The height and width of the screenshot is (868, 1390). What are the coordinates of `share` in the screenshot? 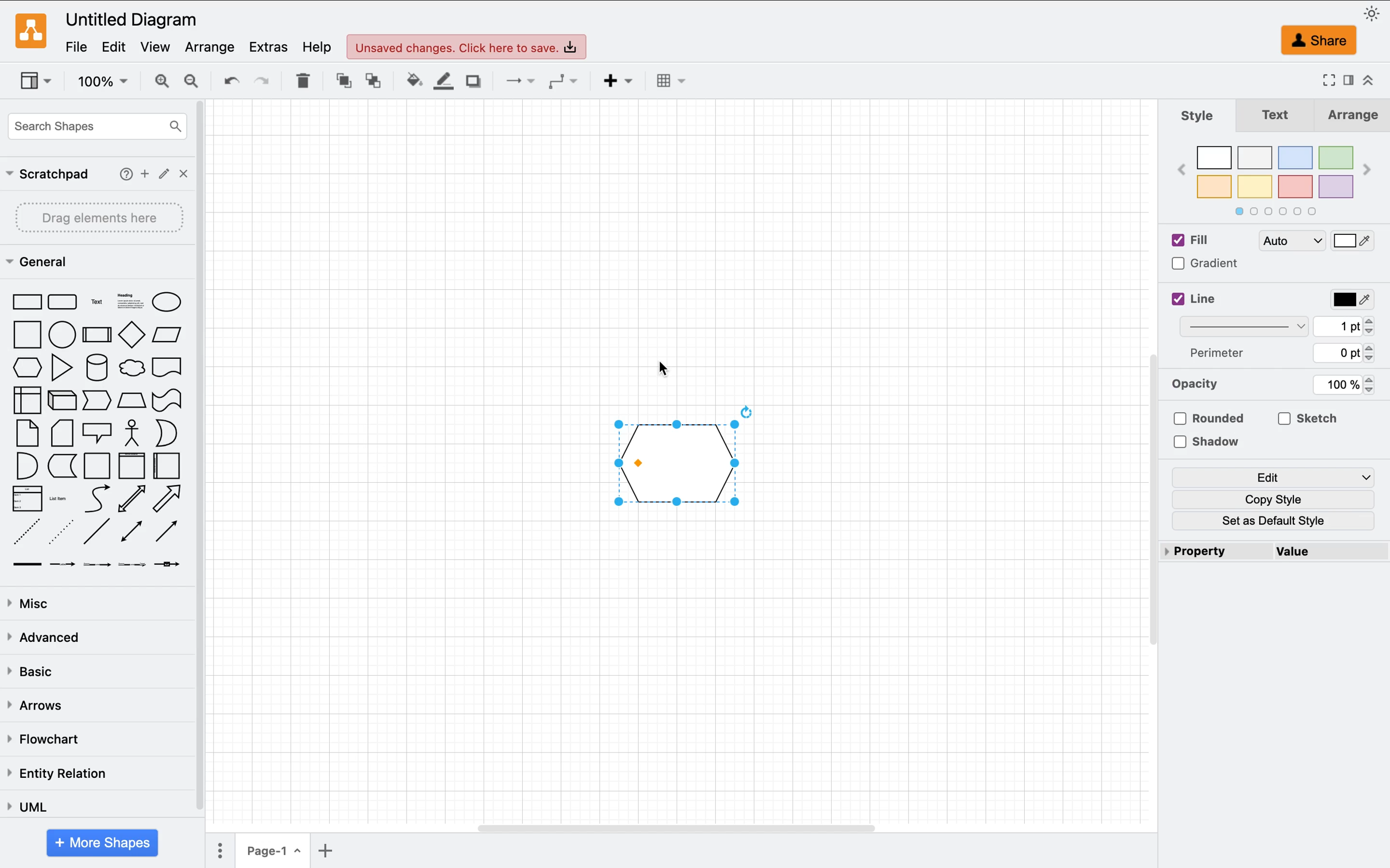 It's located at (1321, 41).